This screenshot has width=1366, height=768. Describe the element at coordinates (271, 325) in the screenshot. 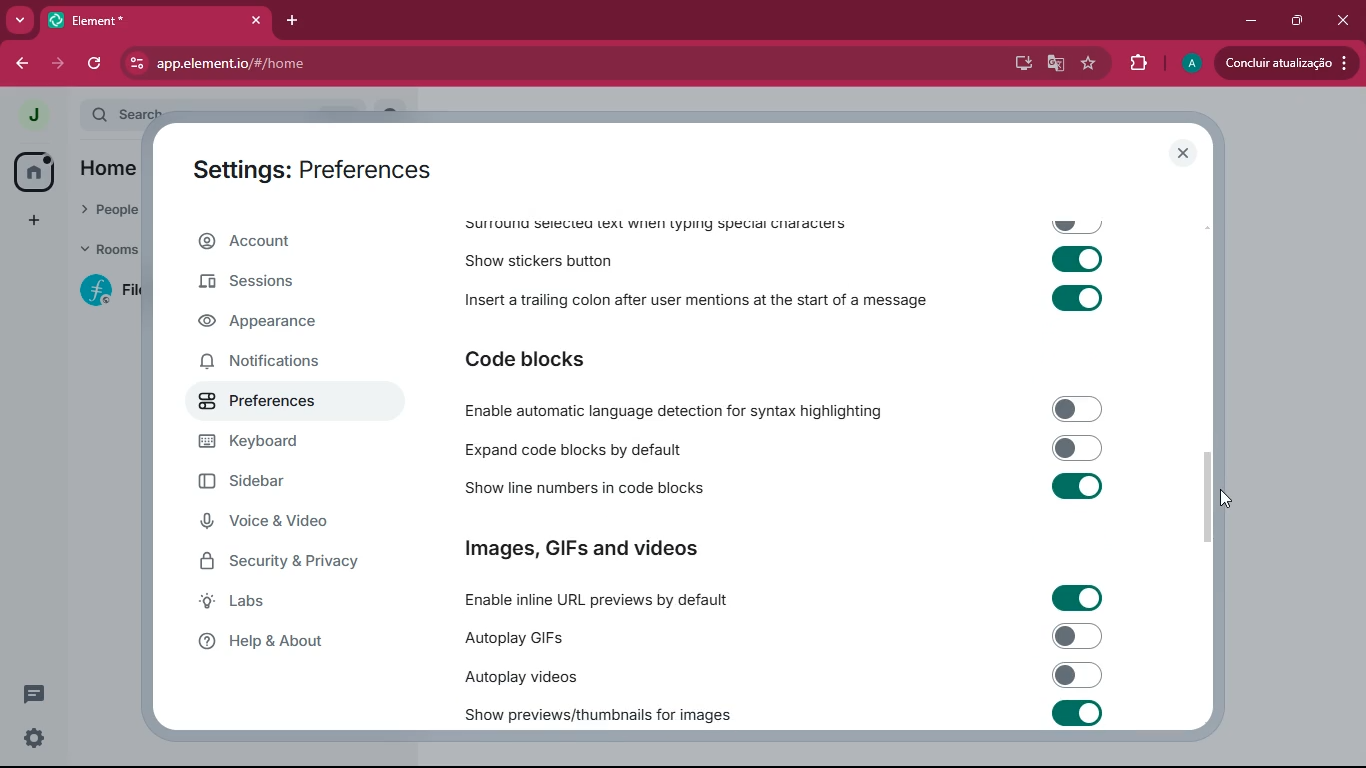

I see `appearance` at that location.